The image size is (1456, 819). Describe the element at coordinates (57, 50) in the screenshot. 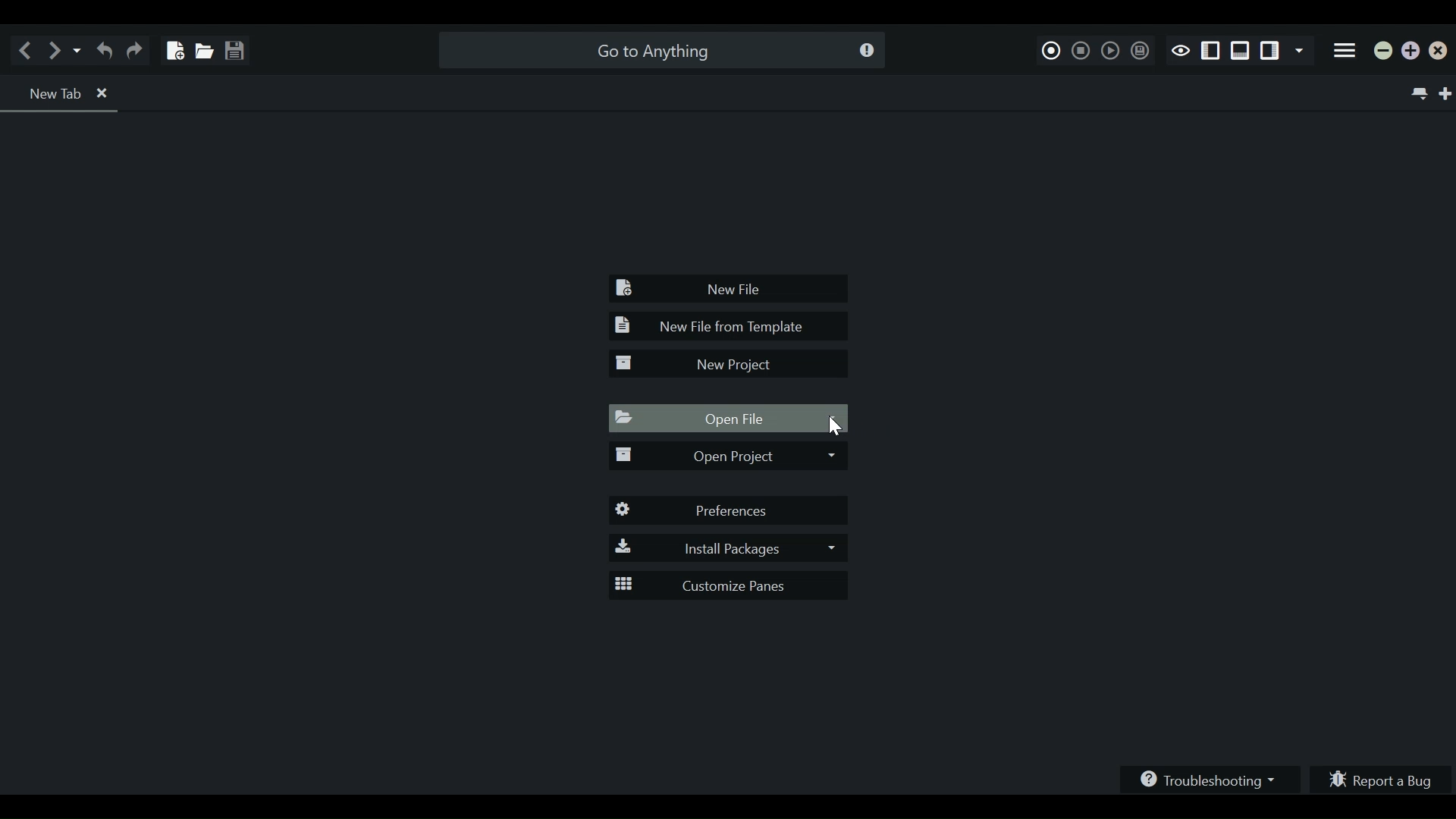

I see `Go forward one location` at that location.